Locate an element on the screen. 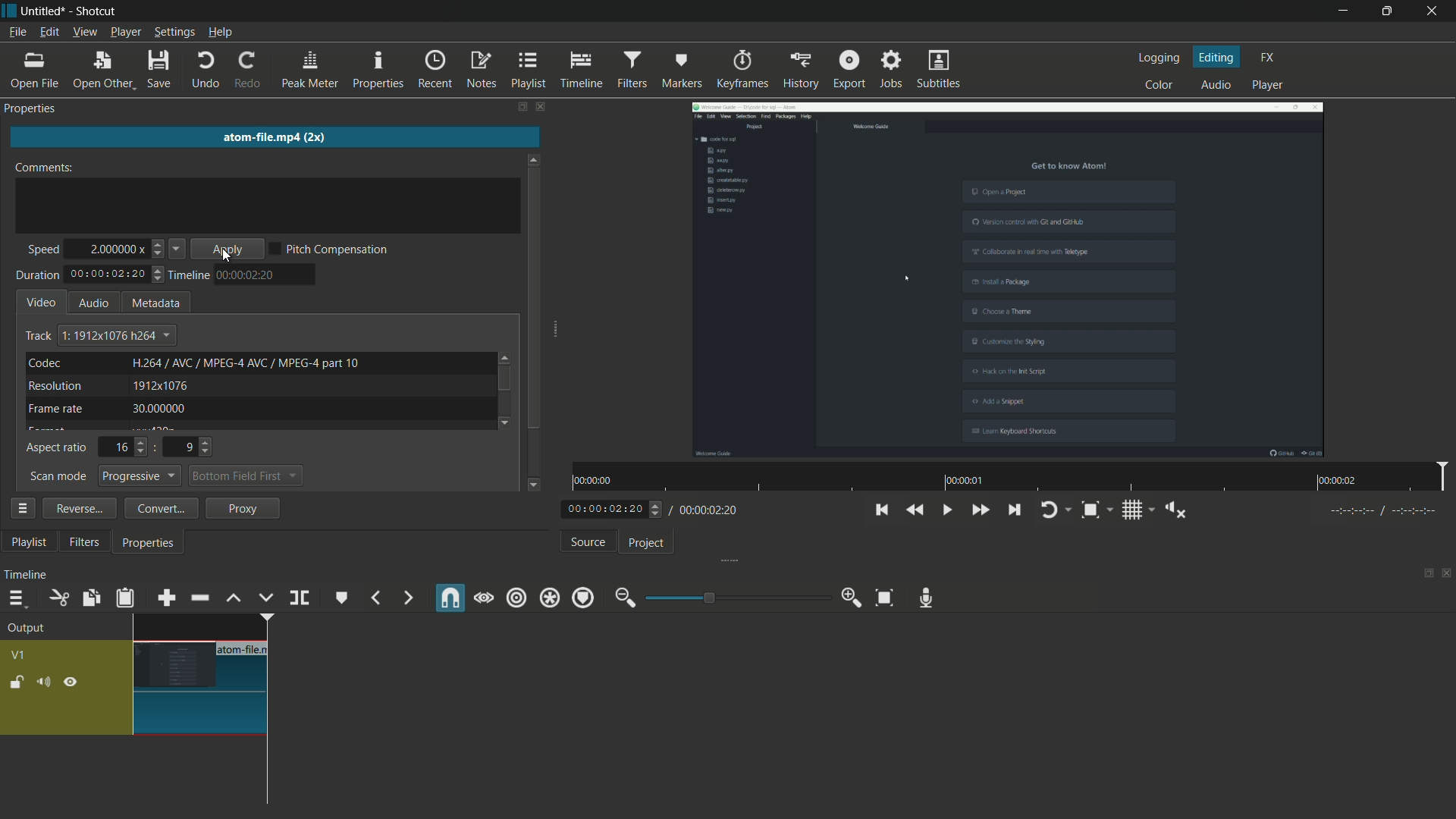 The image size is (1456, 819). snap is located at coordinates (449, 598).